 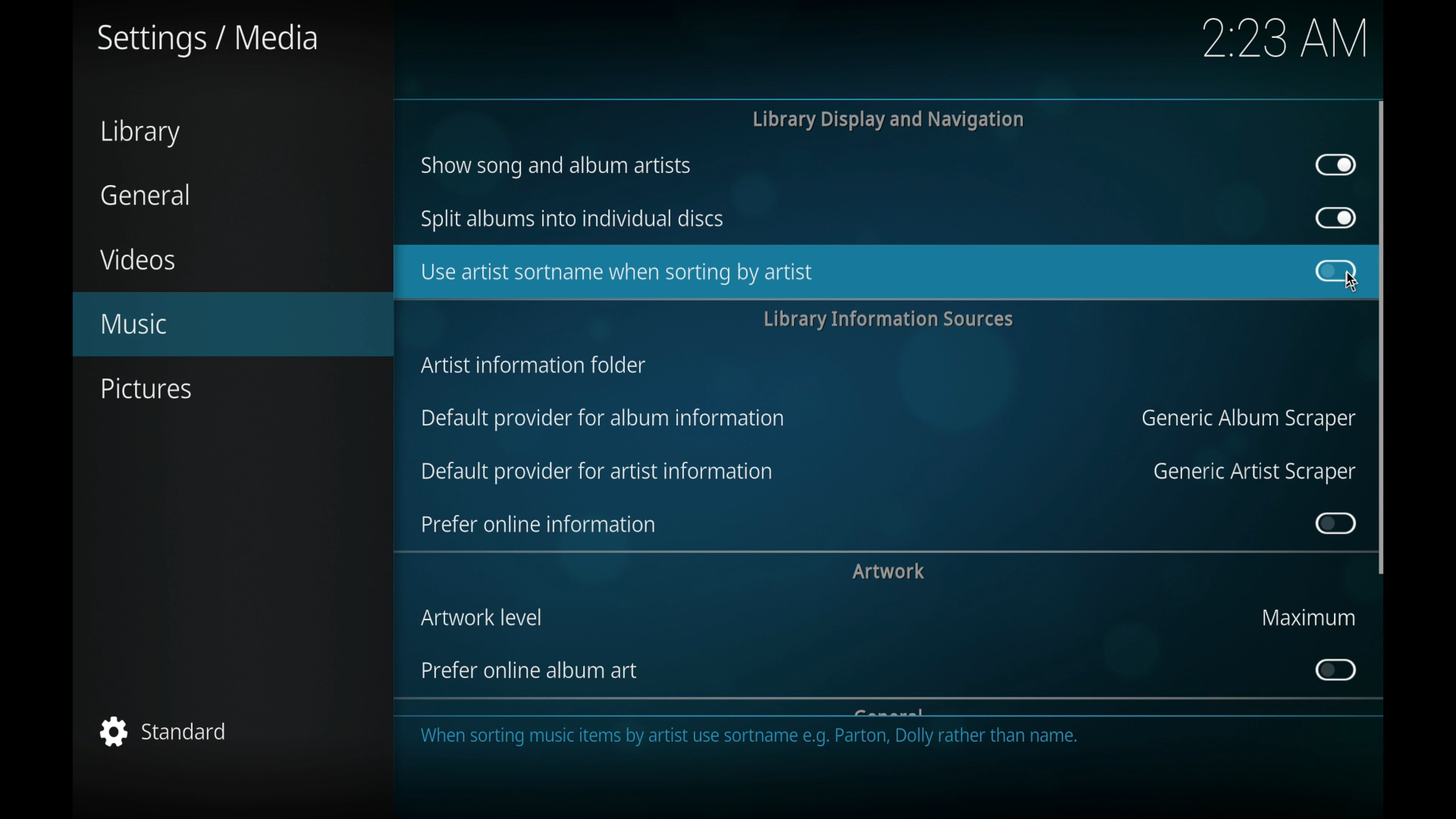 What do you see at coordinates (140, 259) in the screenshot?
I see `videos` at bounding box center [140, 259].